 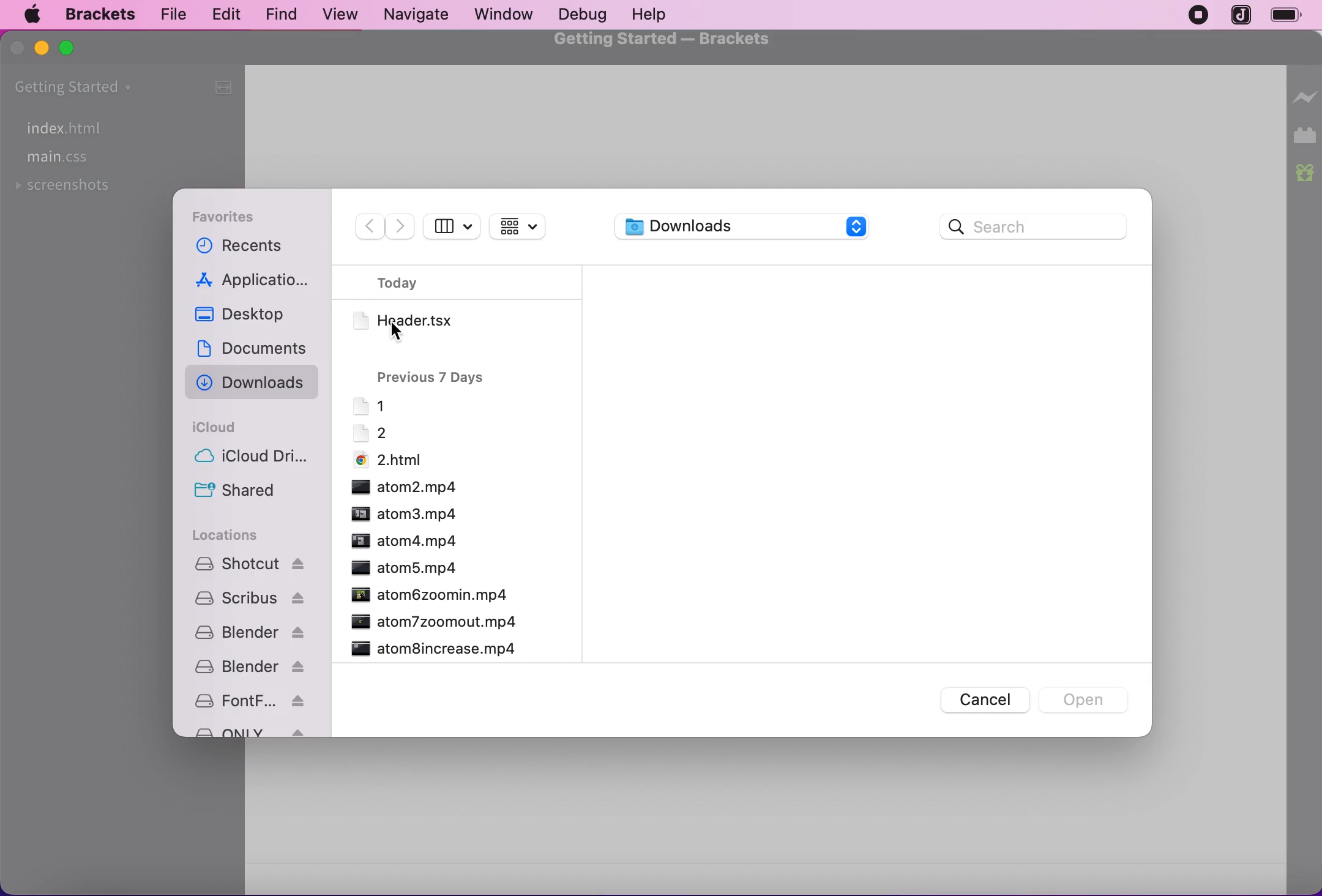 What do you see at coordinates (453, 225) in the screenshot?
I see `show sidebar` at bounding box center [453, 225].